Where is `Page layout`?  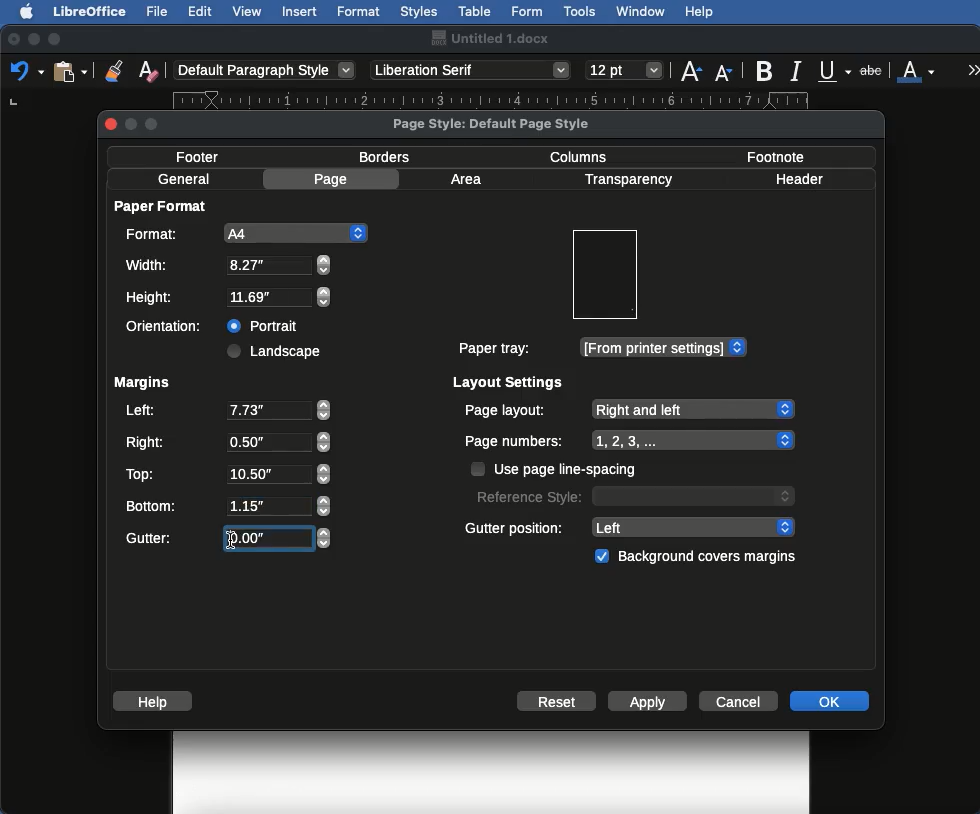 Page layout is located at coordinates (628, 409).